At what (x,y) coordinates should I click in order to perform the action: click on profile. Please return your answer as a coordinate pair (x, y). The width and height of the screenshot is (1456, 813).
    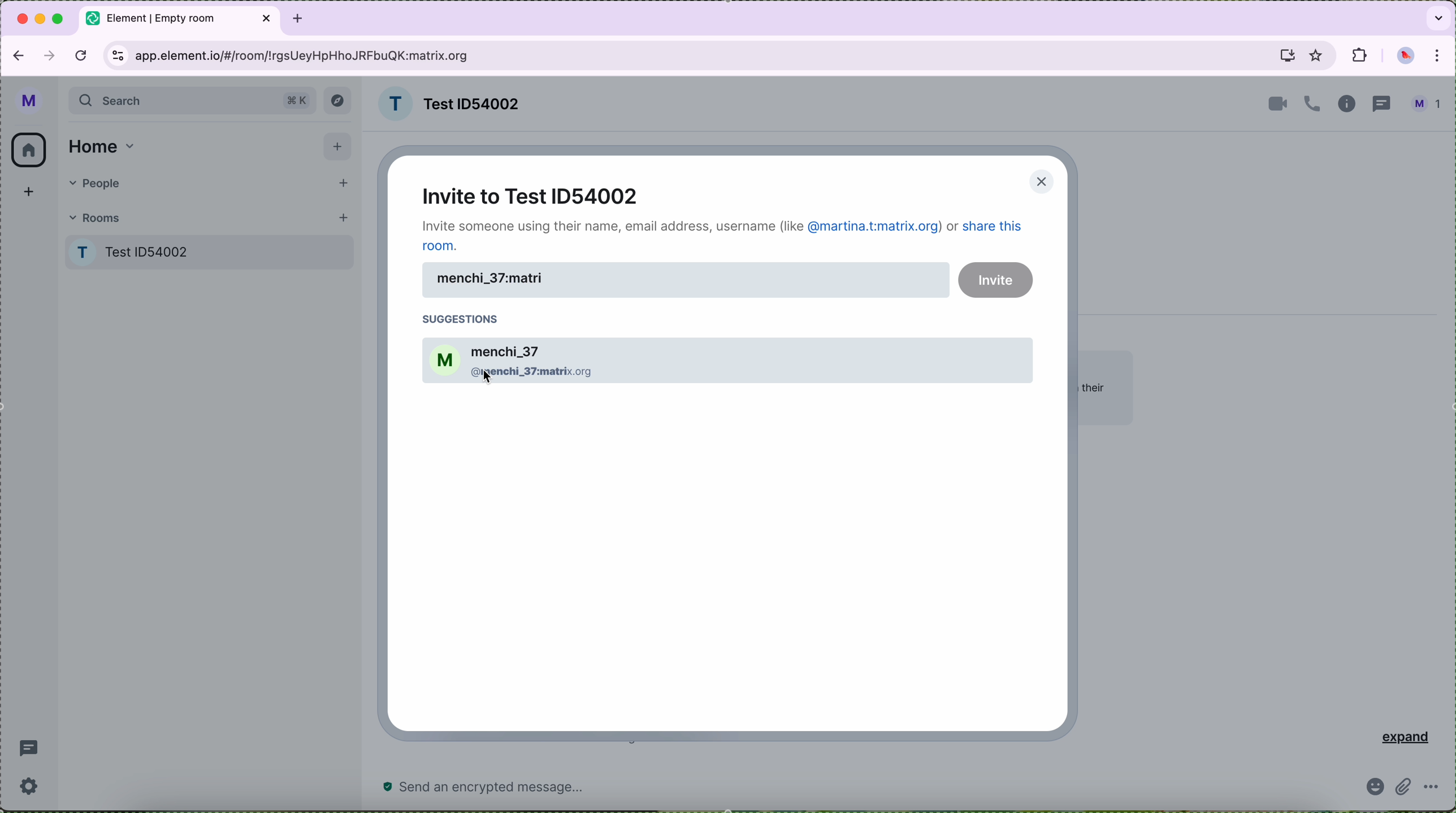
    Looking at the image, I should click on (31, 101).